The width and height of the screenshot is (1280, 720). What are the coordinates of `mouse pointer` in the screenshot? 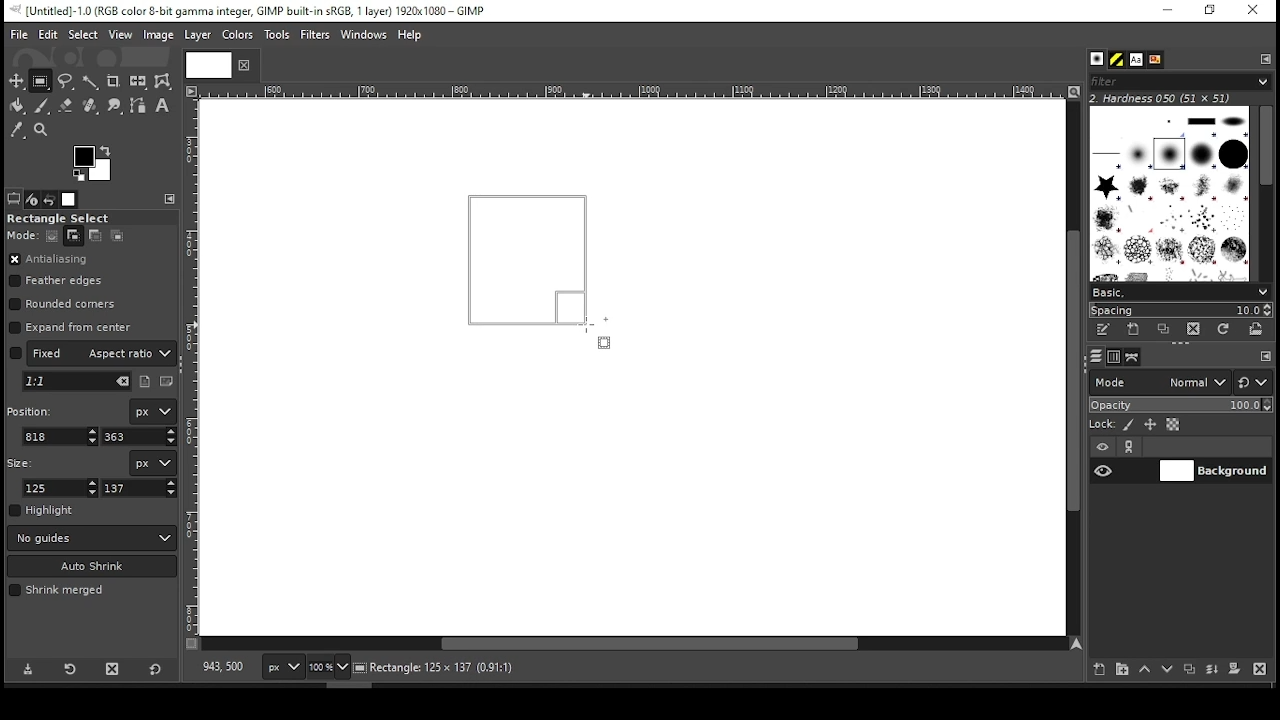 It's located at (595, 332).